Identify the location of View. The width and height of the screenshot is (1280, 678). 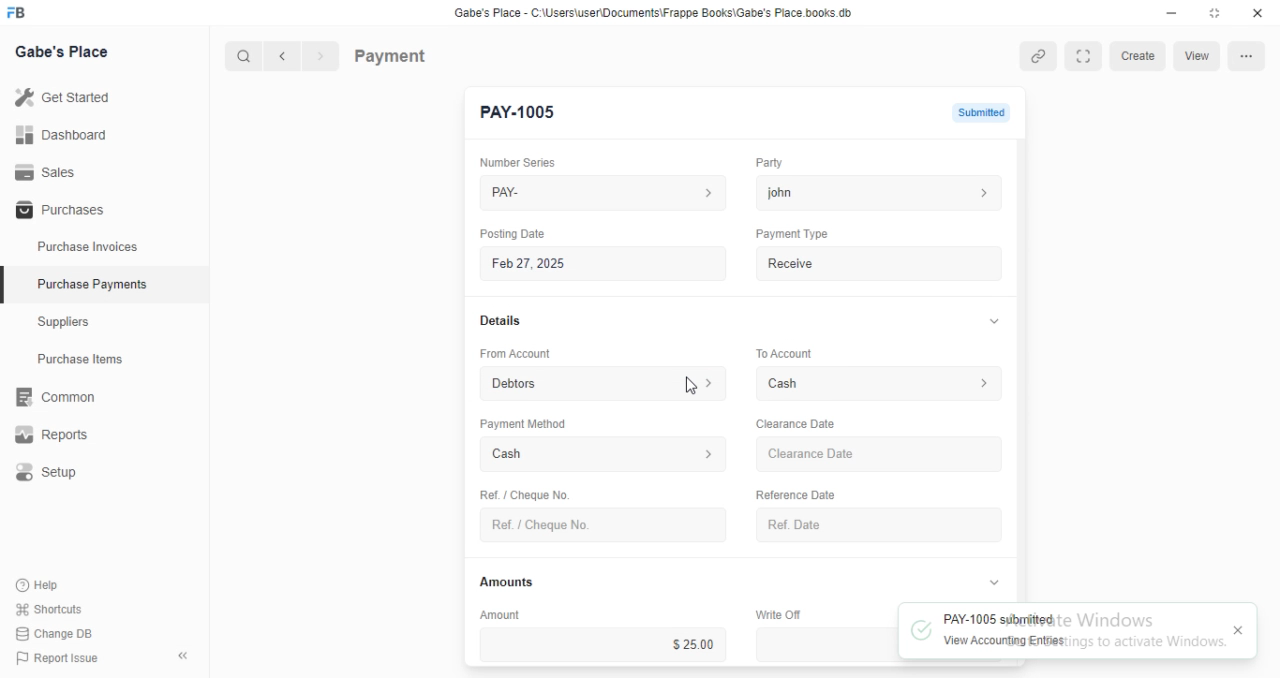
(1199, 56).